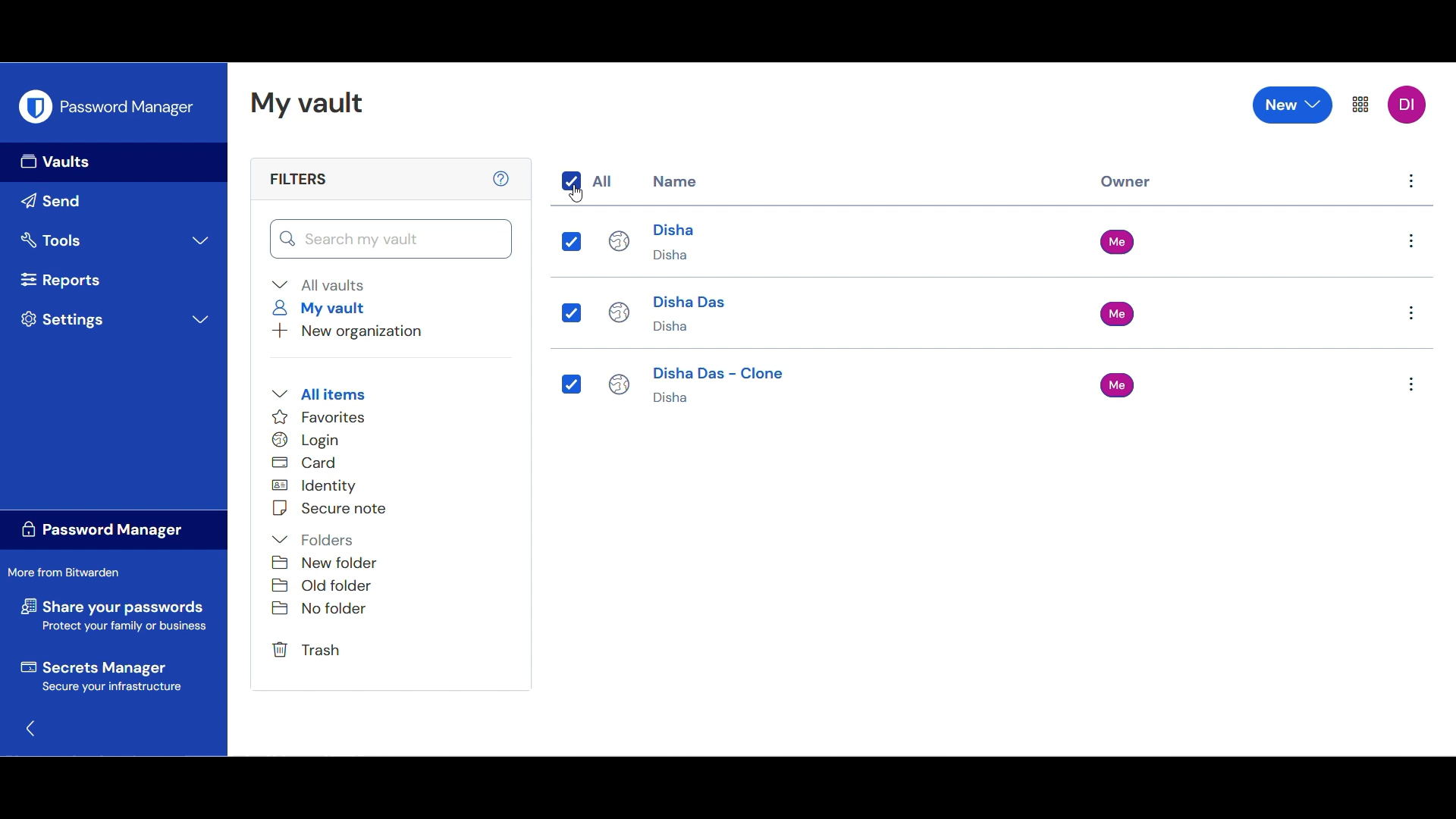  What do you see at coordinates (1407, 104) in the screenshot?
I see `DI` at bounding box center [1407, 104].